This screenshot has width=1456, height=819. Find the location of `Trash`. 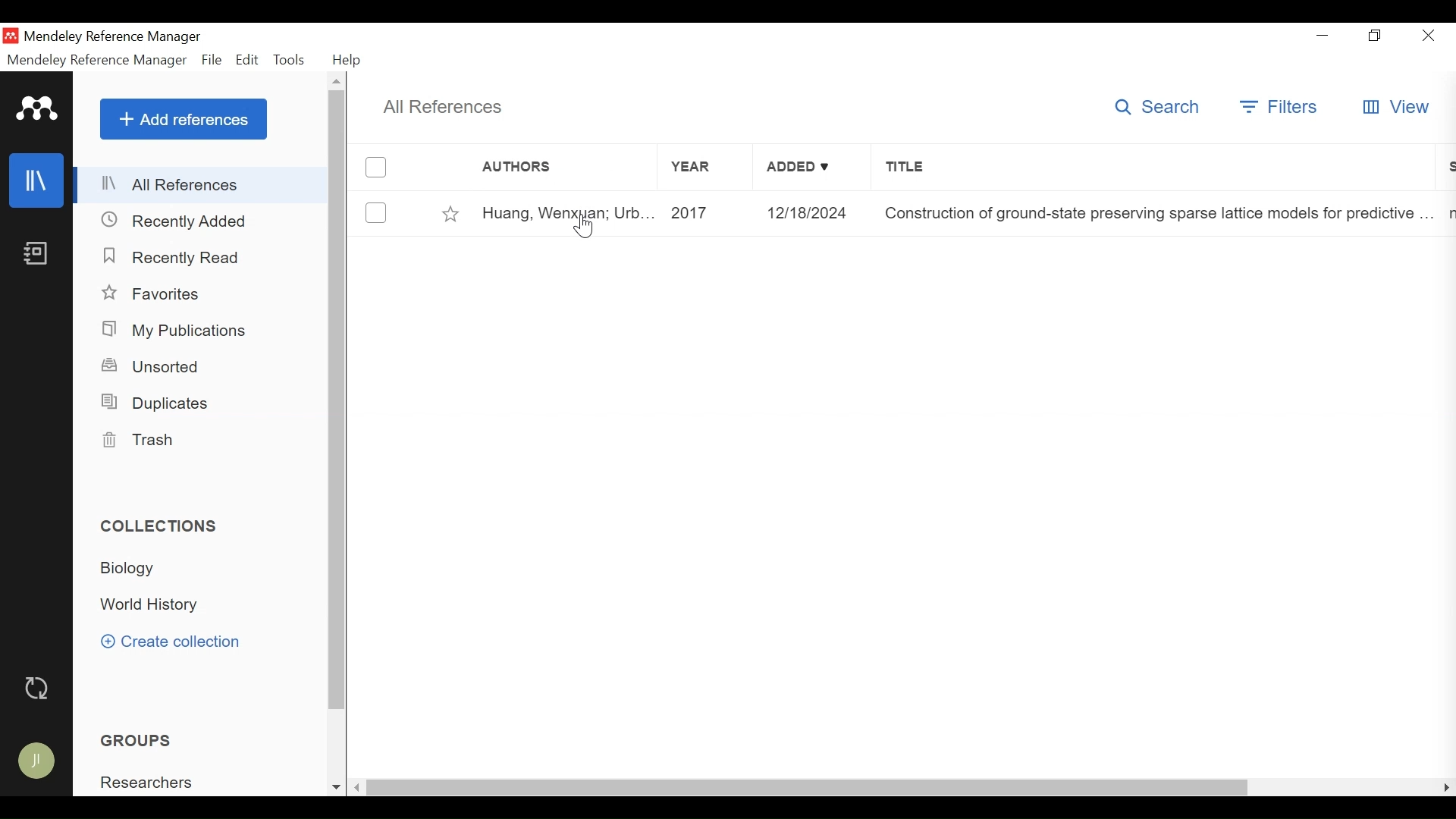

Trash is located at coordinates (146, 440).